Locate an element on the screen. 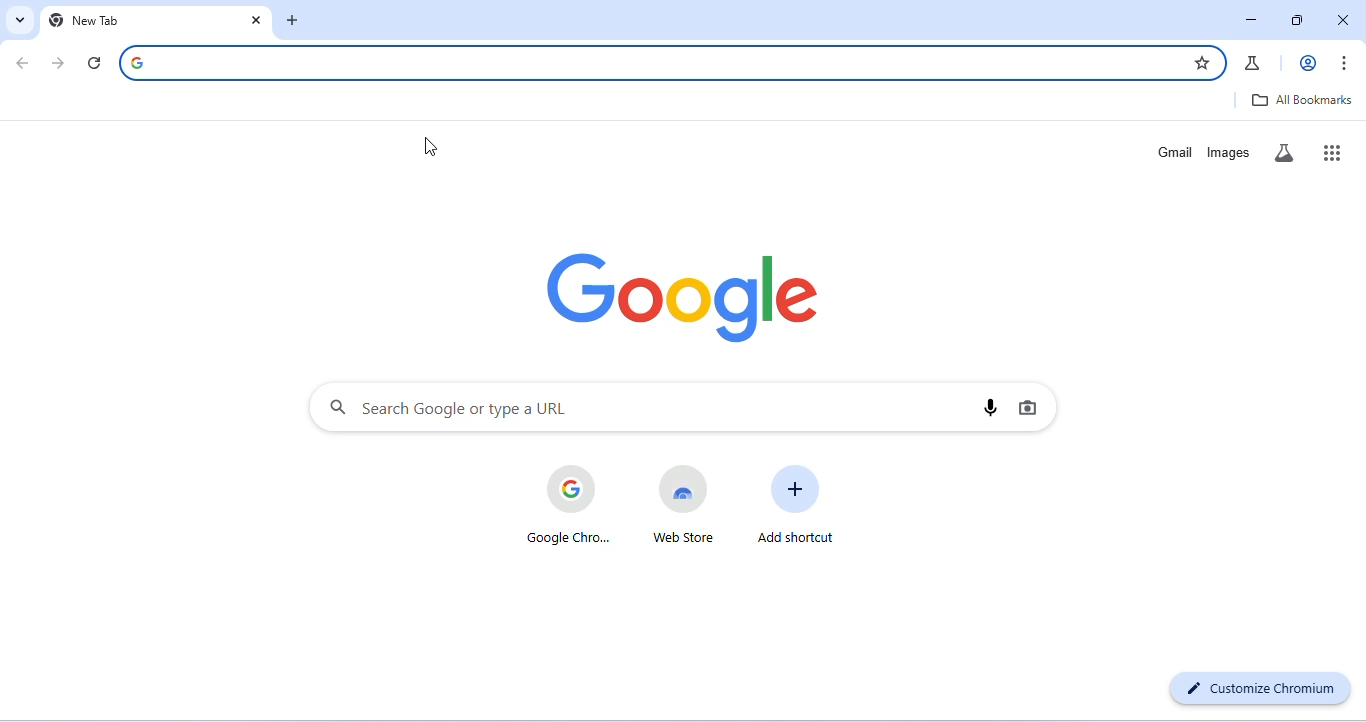  customize or control chromium is located at coordinates (1346, 62).